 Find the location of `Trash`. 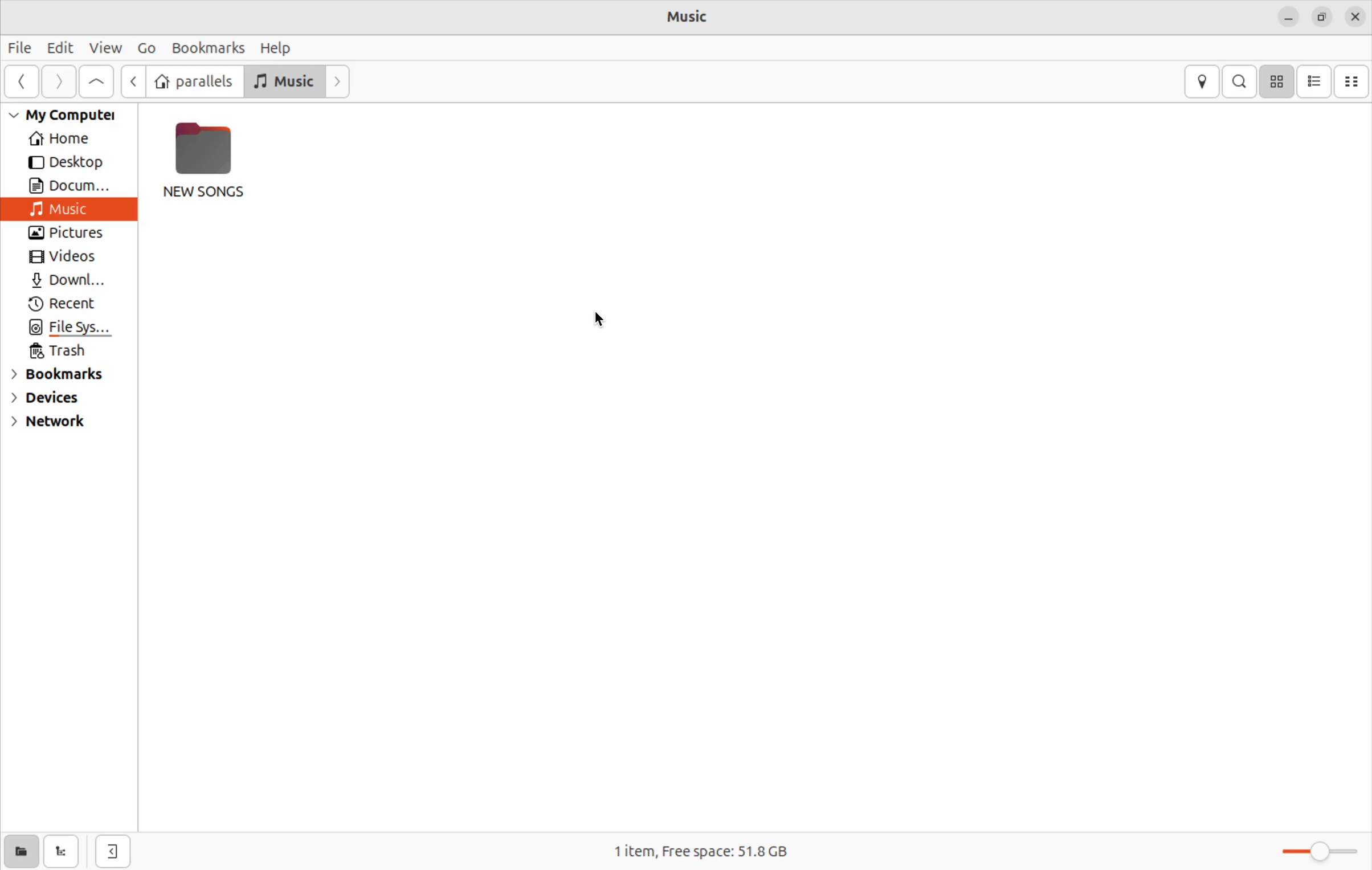

Trash is located at coordinates (64, 352).